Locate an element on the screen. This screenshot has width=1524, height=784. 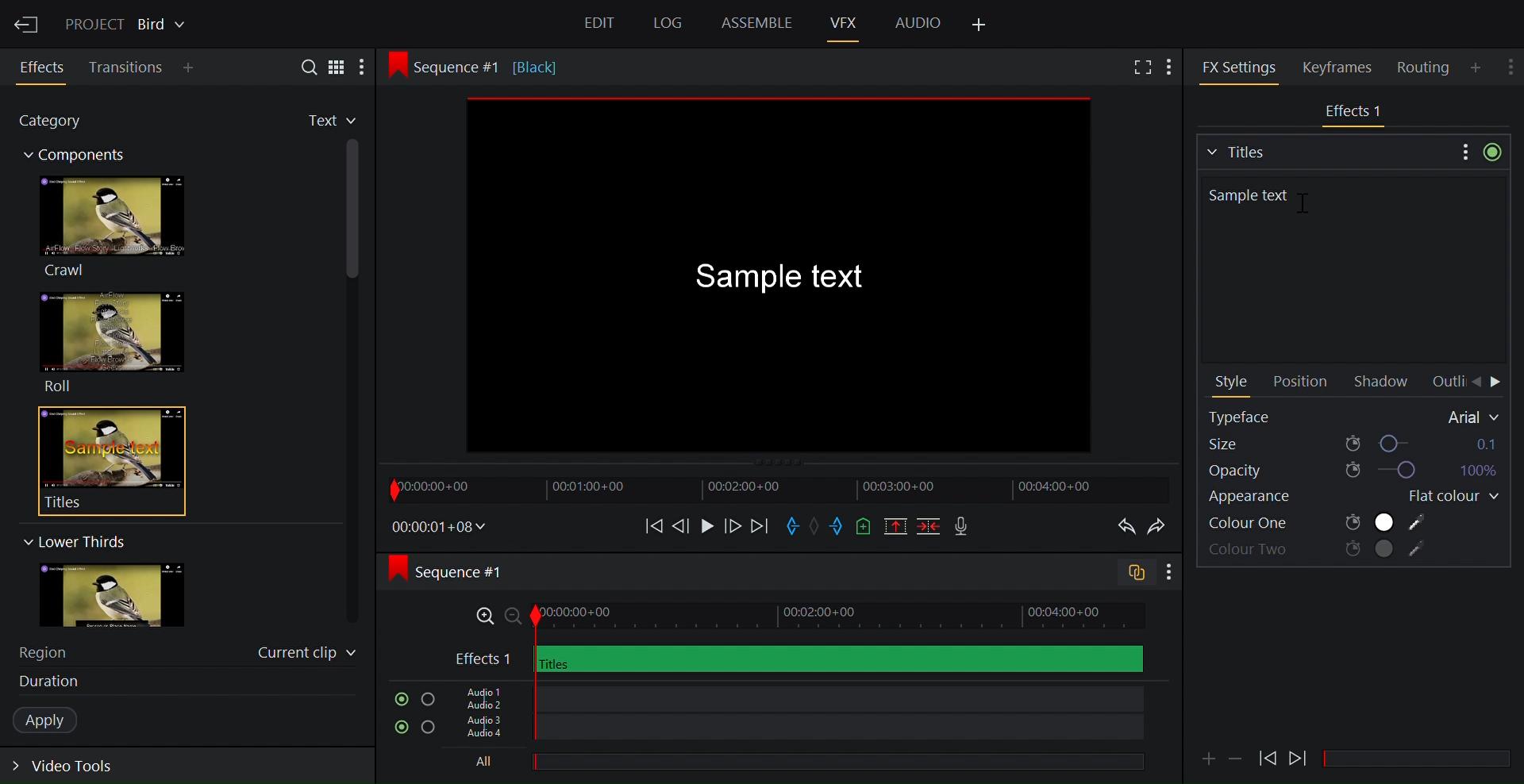
Mute/Unmute is located at coordinates (398, 699).